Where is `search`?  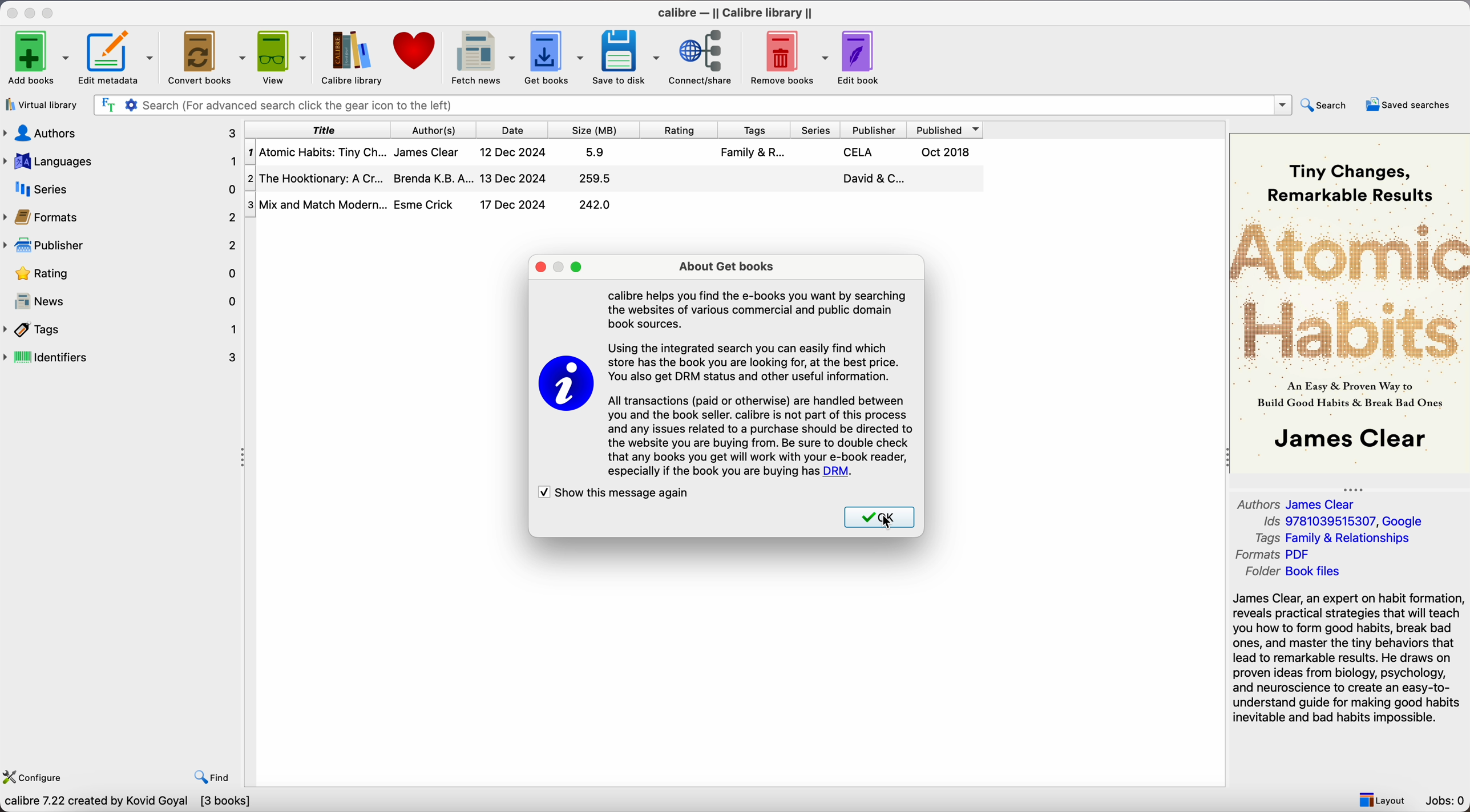 search is located at coordinates (1324, 105).